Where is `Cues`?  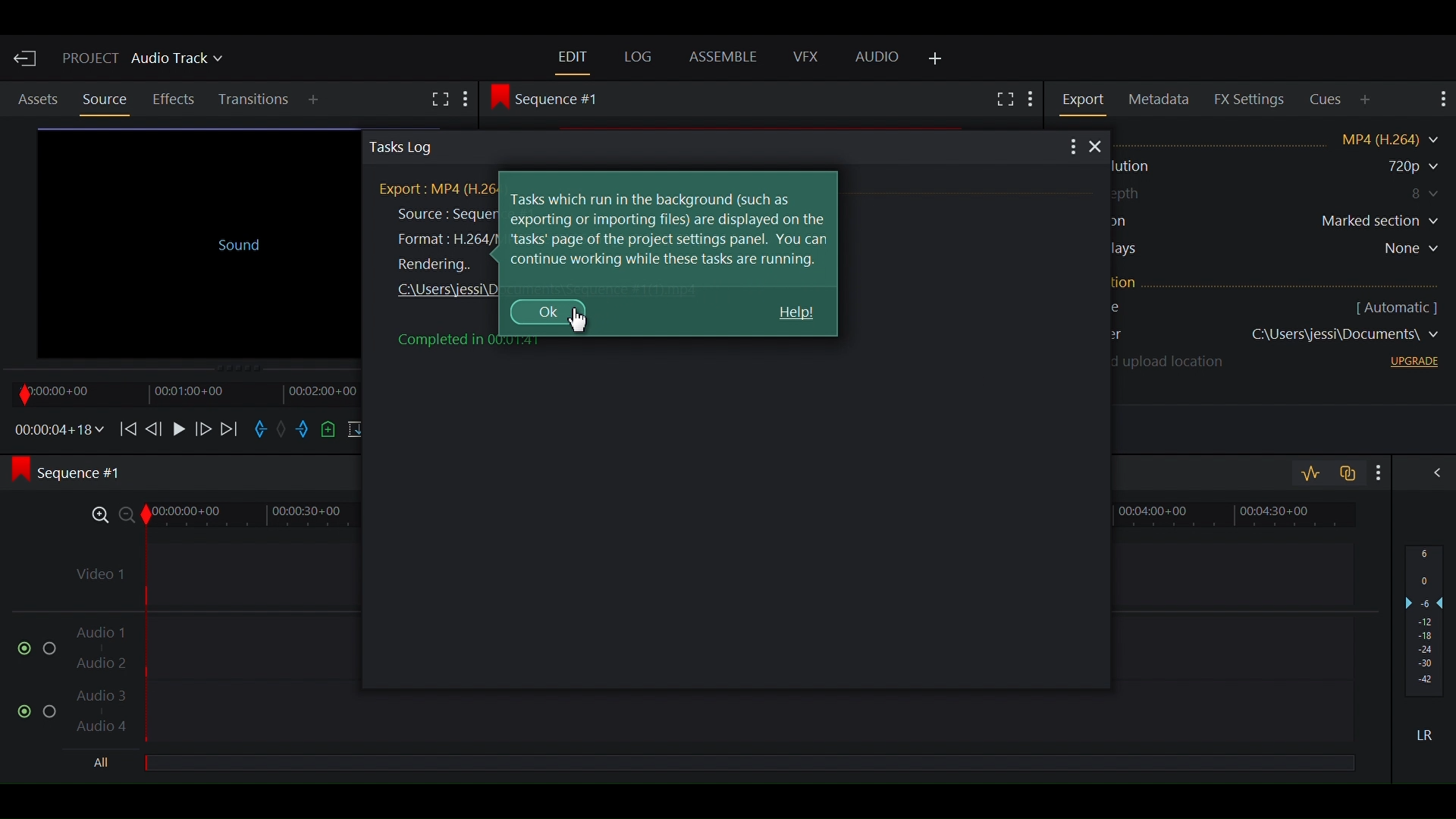
Cues is located at coordinates (1327, 100).